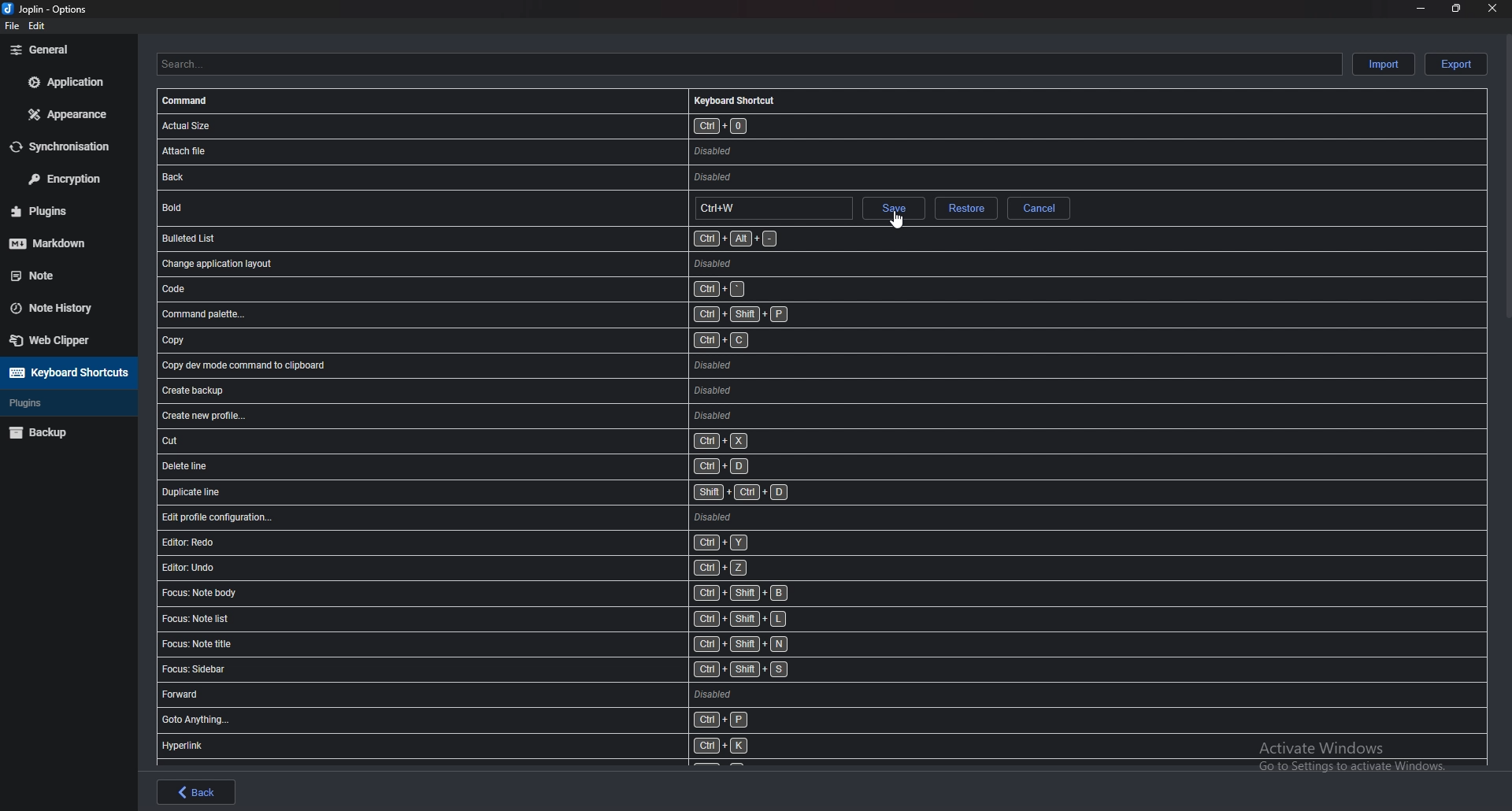 This screenshot has width=1512, height=811. I want to click on restore, so click(967, 208).